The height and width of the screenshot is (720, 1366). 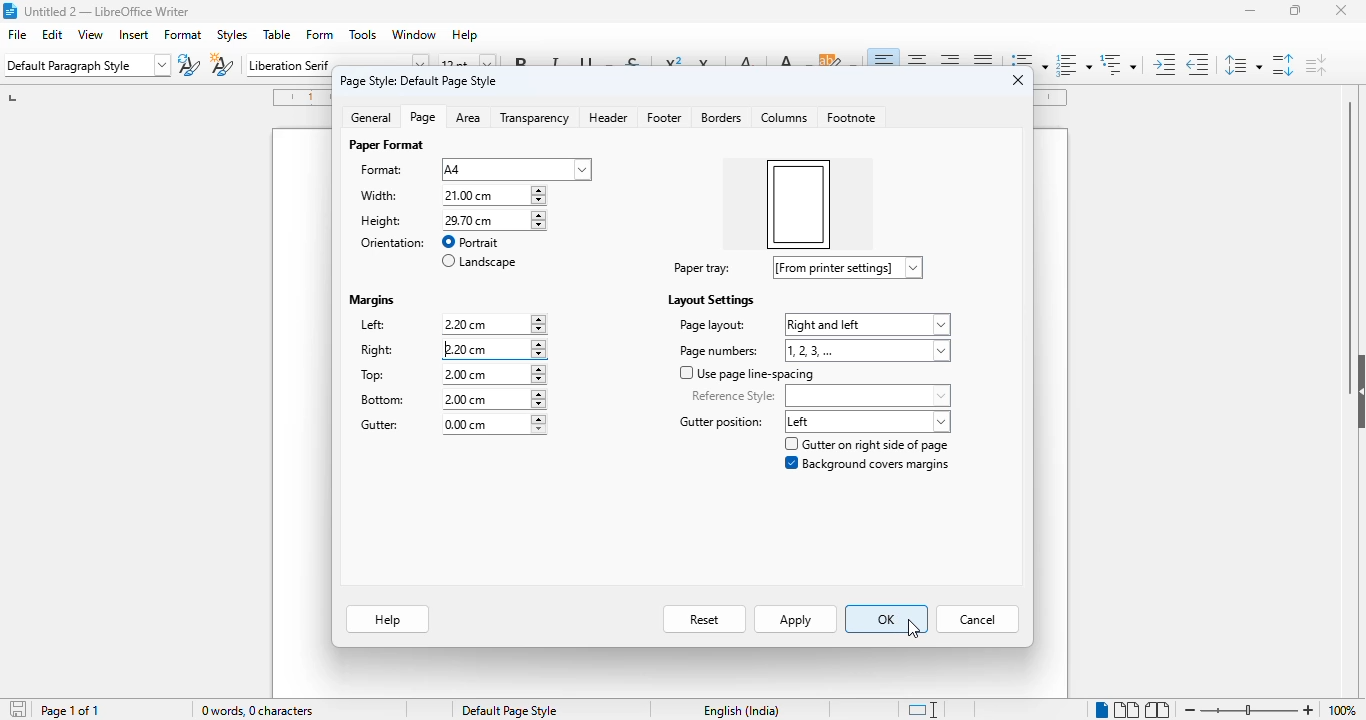 I want to click on top: , so click(x=372, y=375).